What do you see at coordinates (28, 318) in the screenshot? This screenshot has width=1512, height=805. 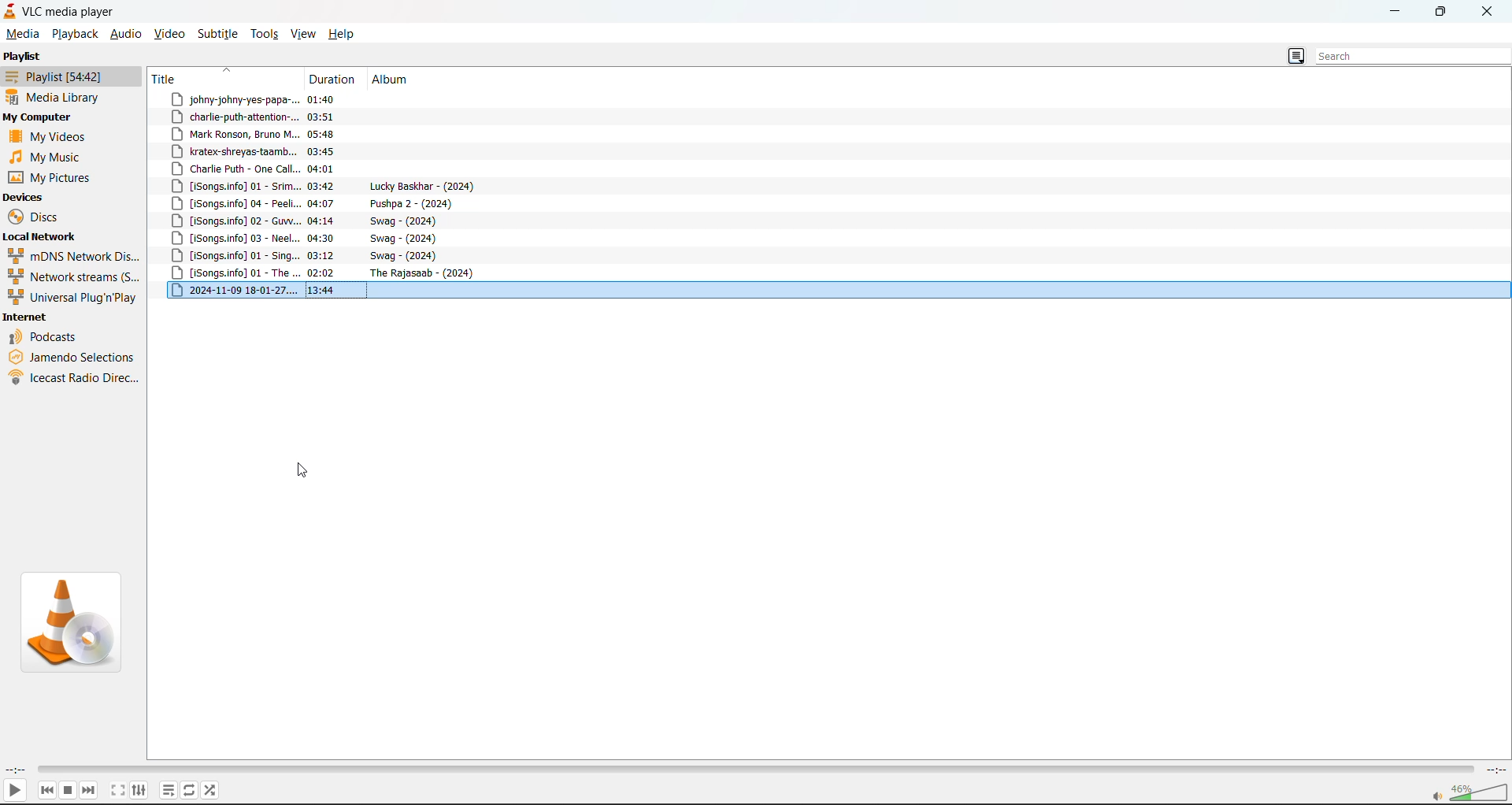 I see `internet` at bounding box center [28, 318].